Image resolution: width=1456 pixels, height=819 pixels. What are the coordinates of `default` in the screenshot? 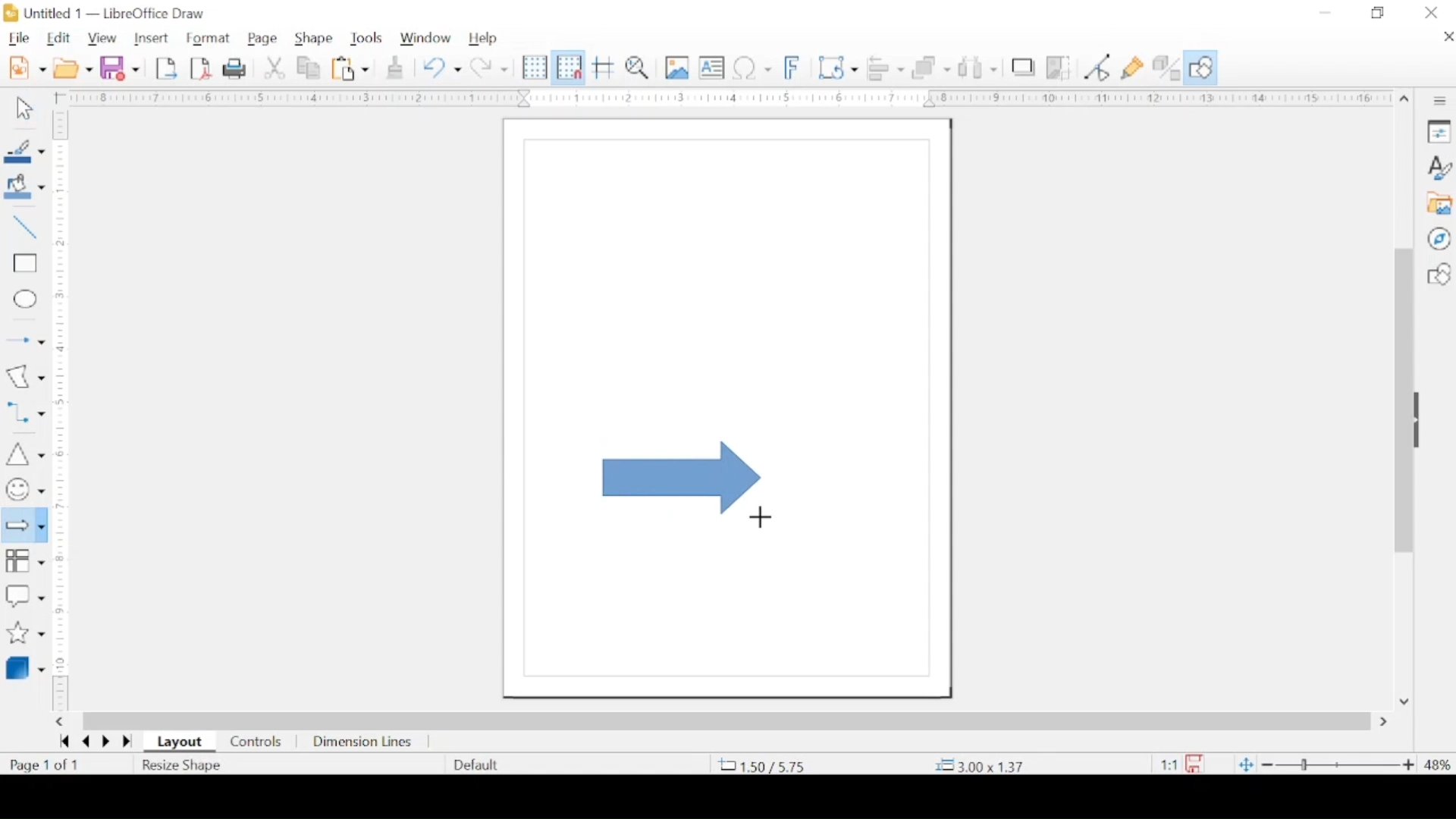 It's located at (477, 764).